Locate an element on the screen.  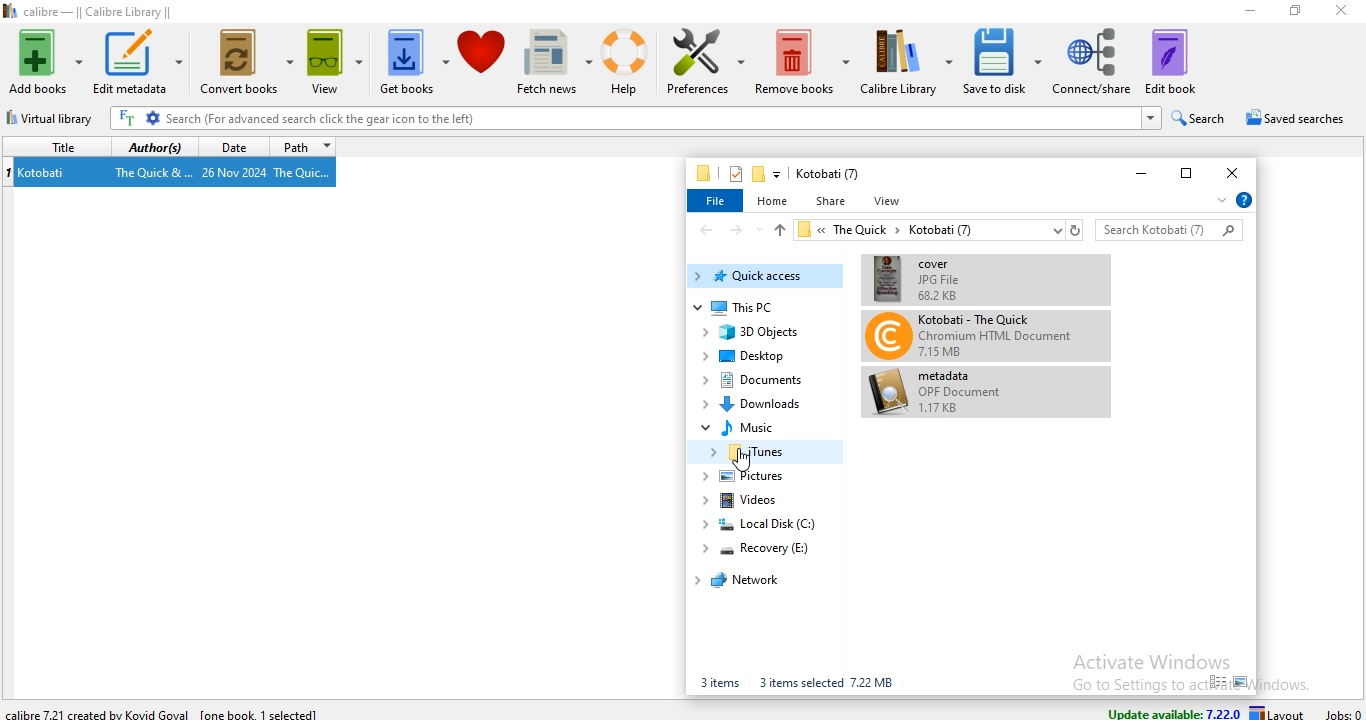
deskstop is located at coordinates (752, 356).